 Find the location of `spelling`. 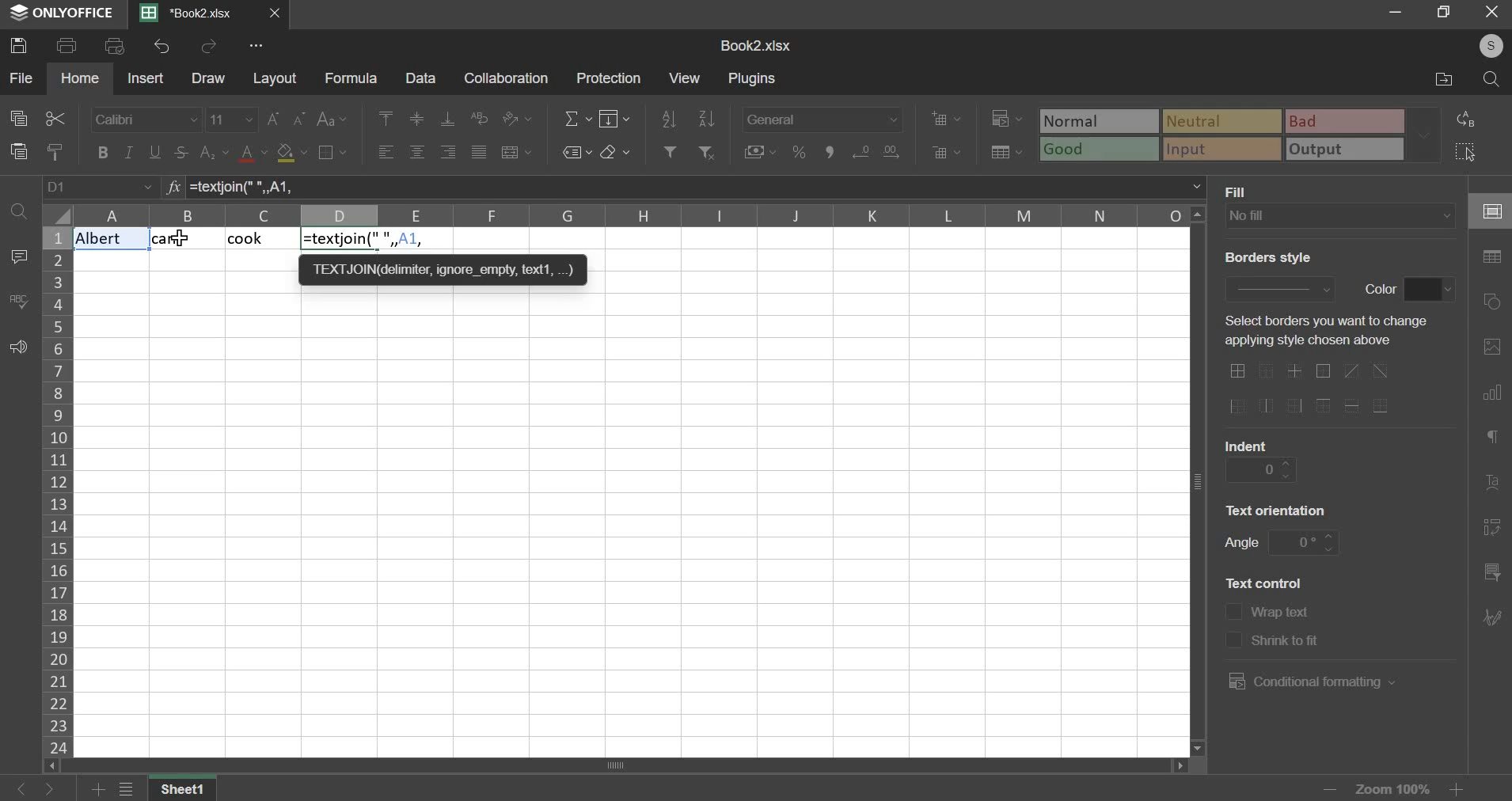

spelling is located at coordinates (18, 301).